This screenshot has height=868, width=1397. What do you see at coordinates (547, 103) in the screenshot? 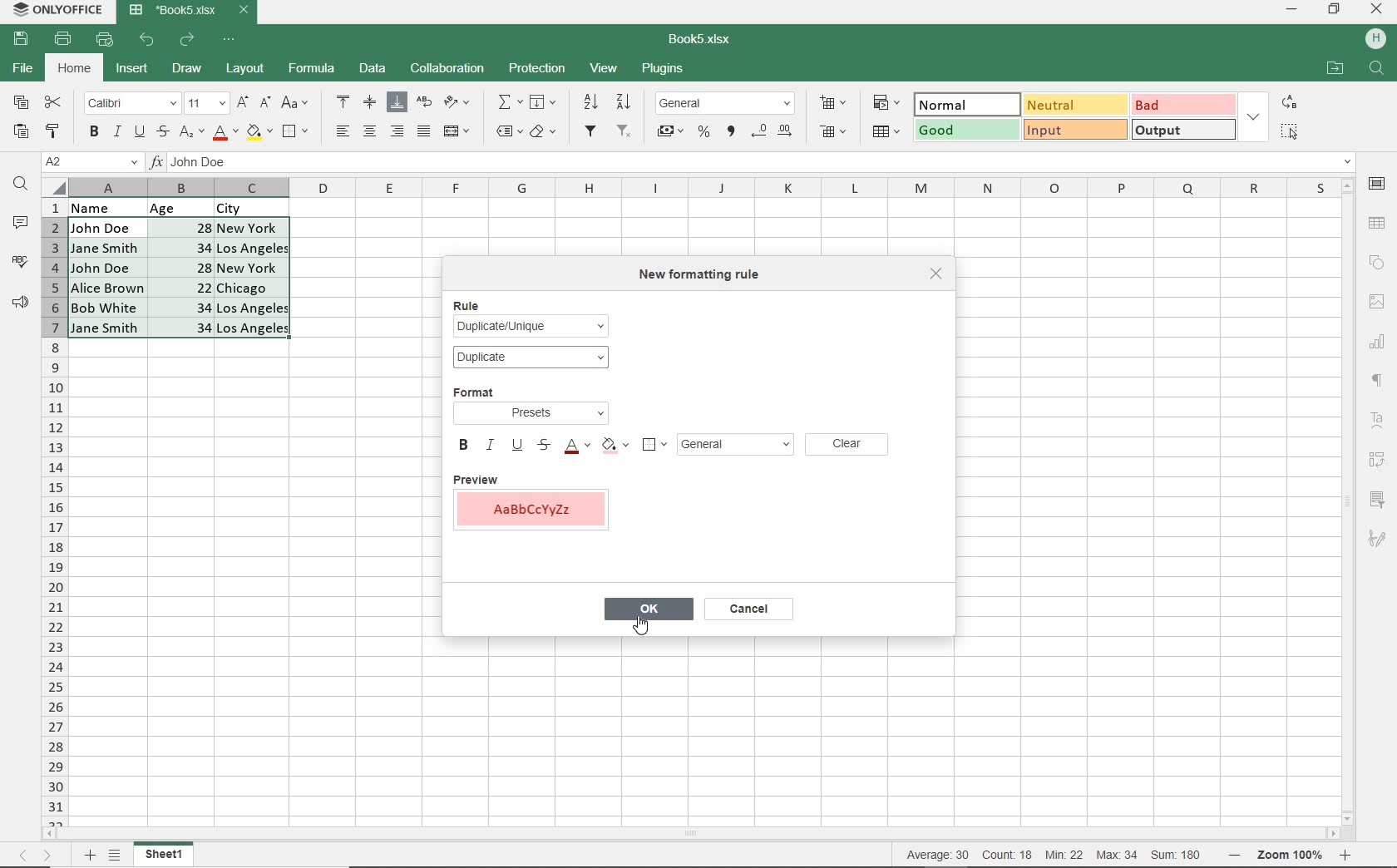
I see `FILL` at bounding box center [547, 103].